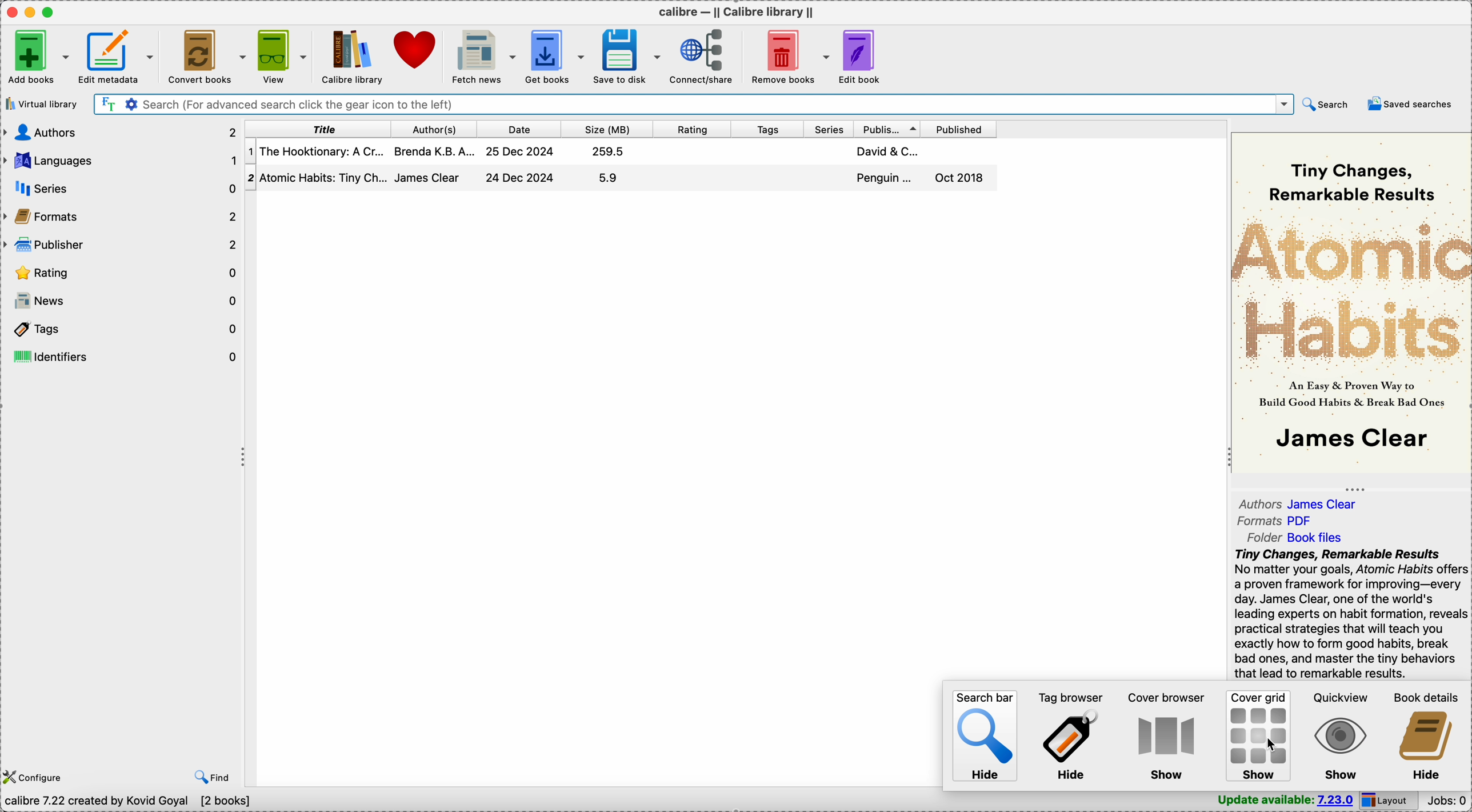  What do you see at coordinates (885, 178) in the screenshot?
I see `penguin...` at bounding box center [885, 178].